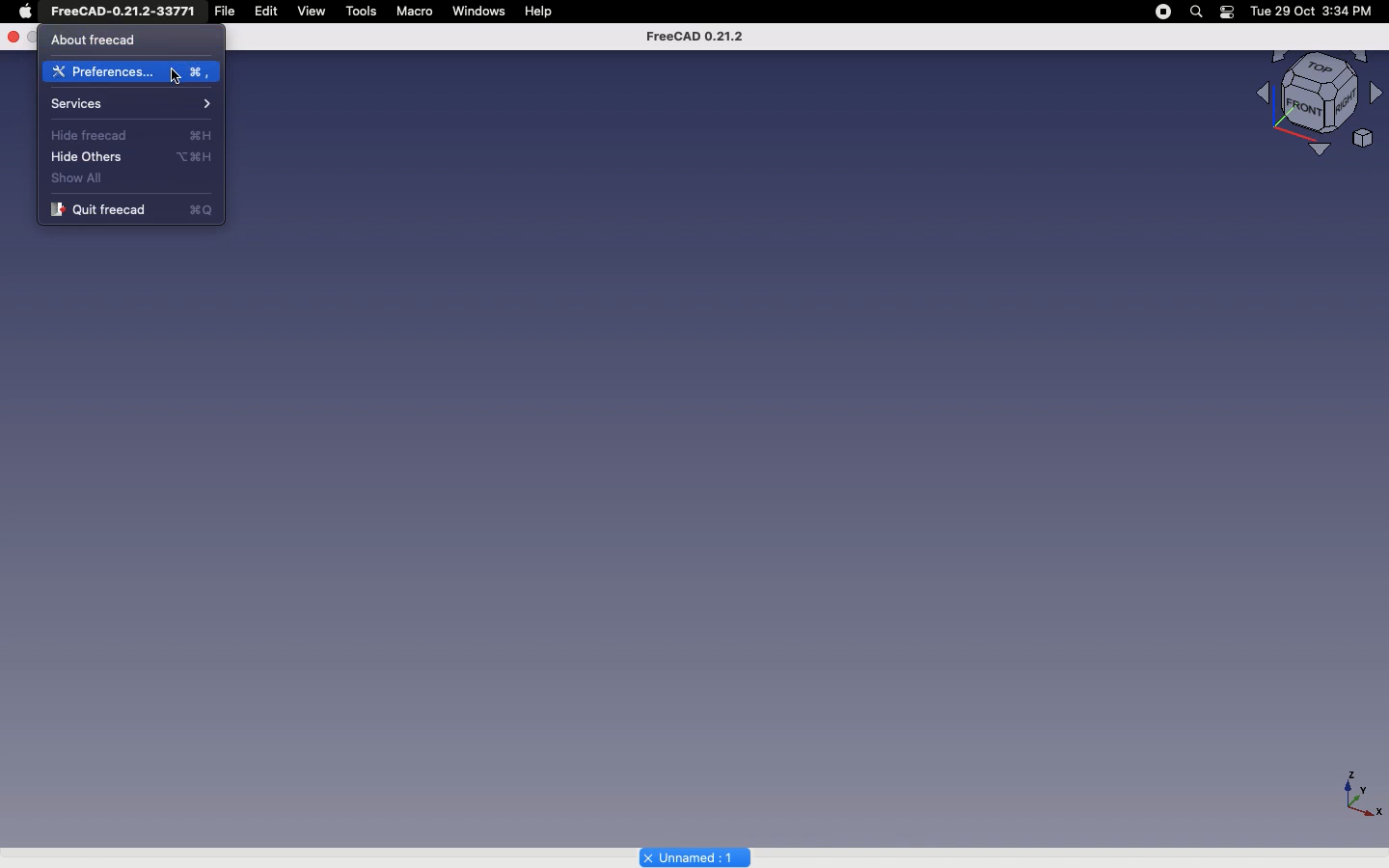 The height and width of the screenshot is (868, 1389). What do you see at coordinates (79, 178) in the screenshot?
I see `Show all` at bounding box center [79, 178].